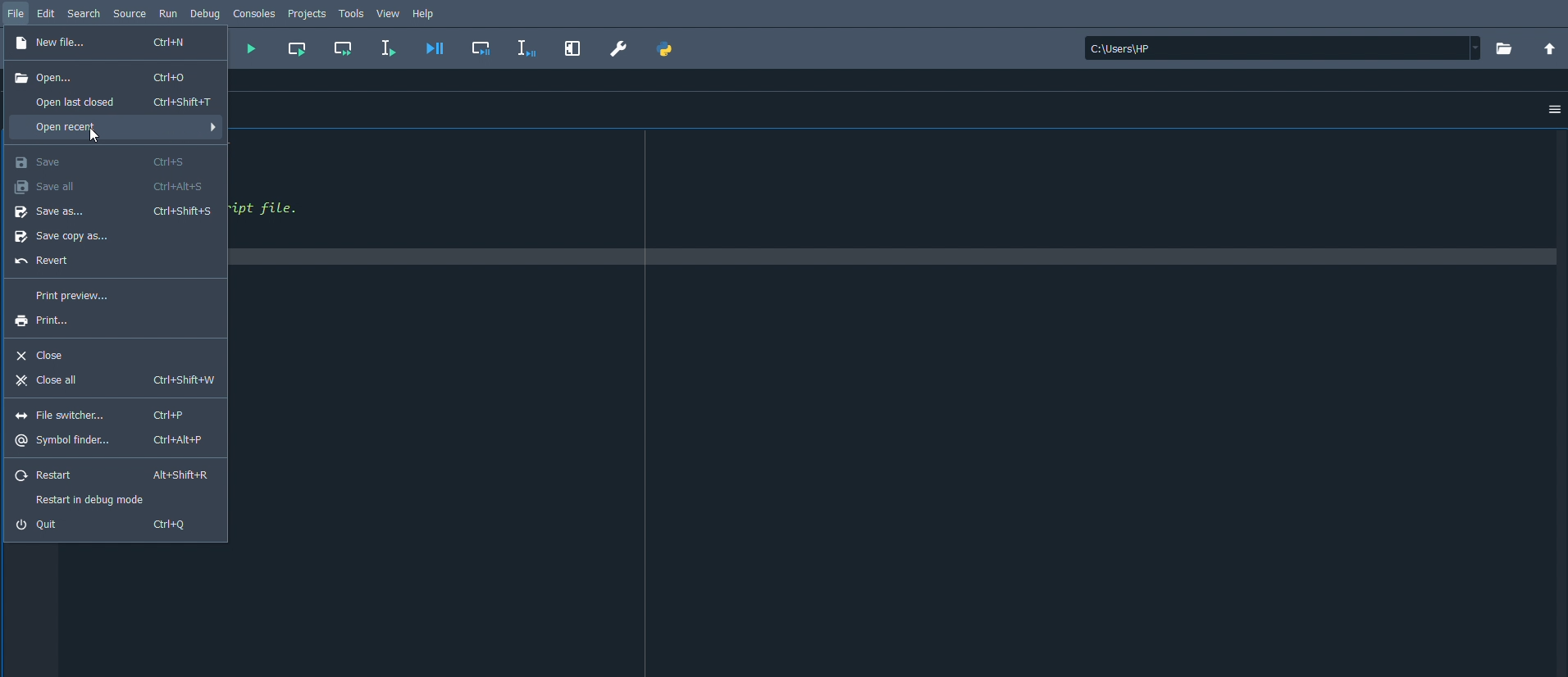  Describe the element at coordinates (353, 12) in the screenshot. I see `Tools` at that location.